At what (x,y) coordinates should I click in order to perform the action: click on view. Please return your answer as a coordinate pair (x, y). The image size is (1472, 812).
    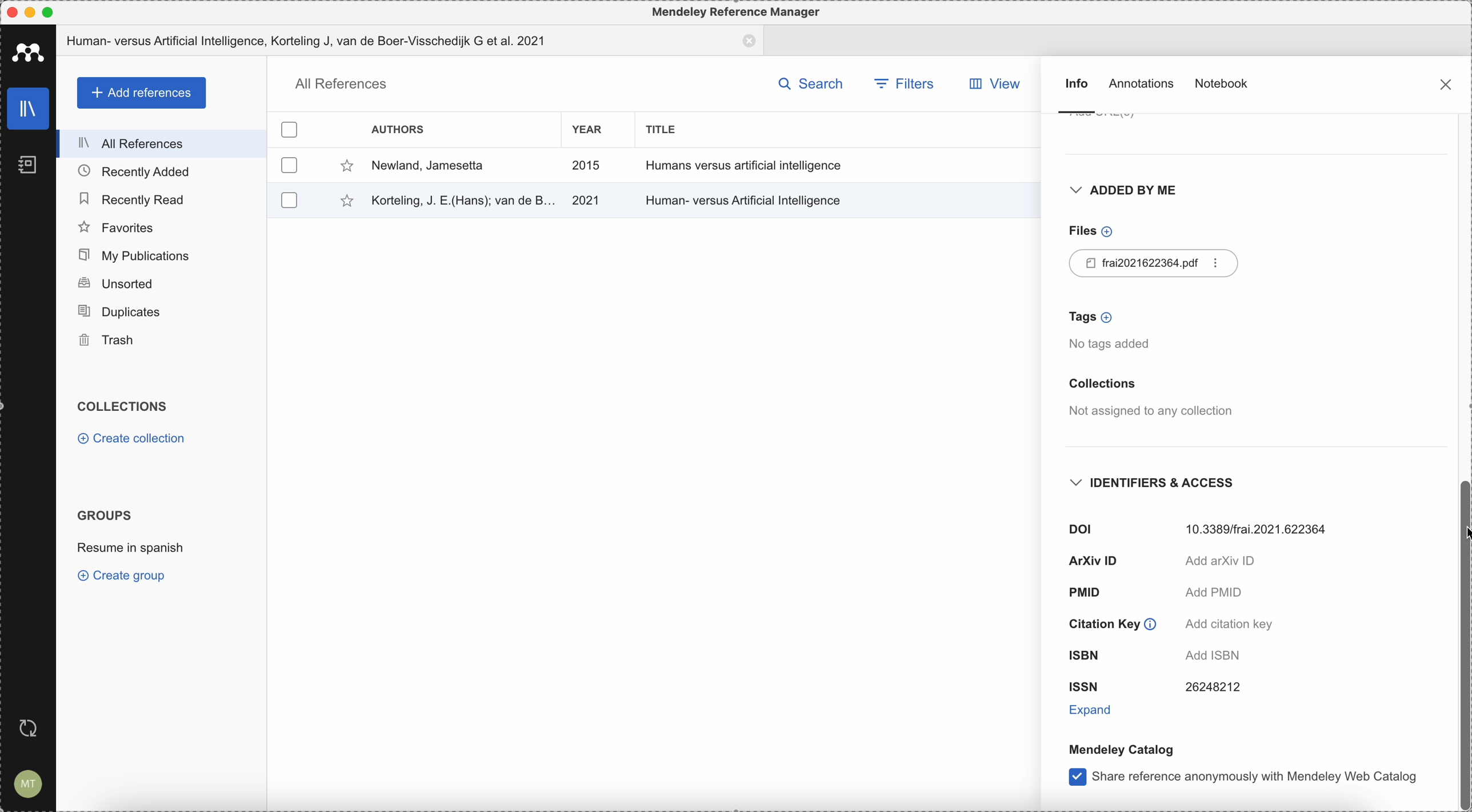
    Looking at the image, I should click on (1000, 84).